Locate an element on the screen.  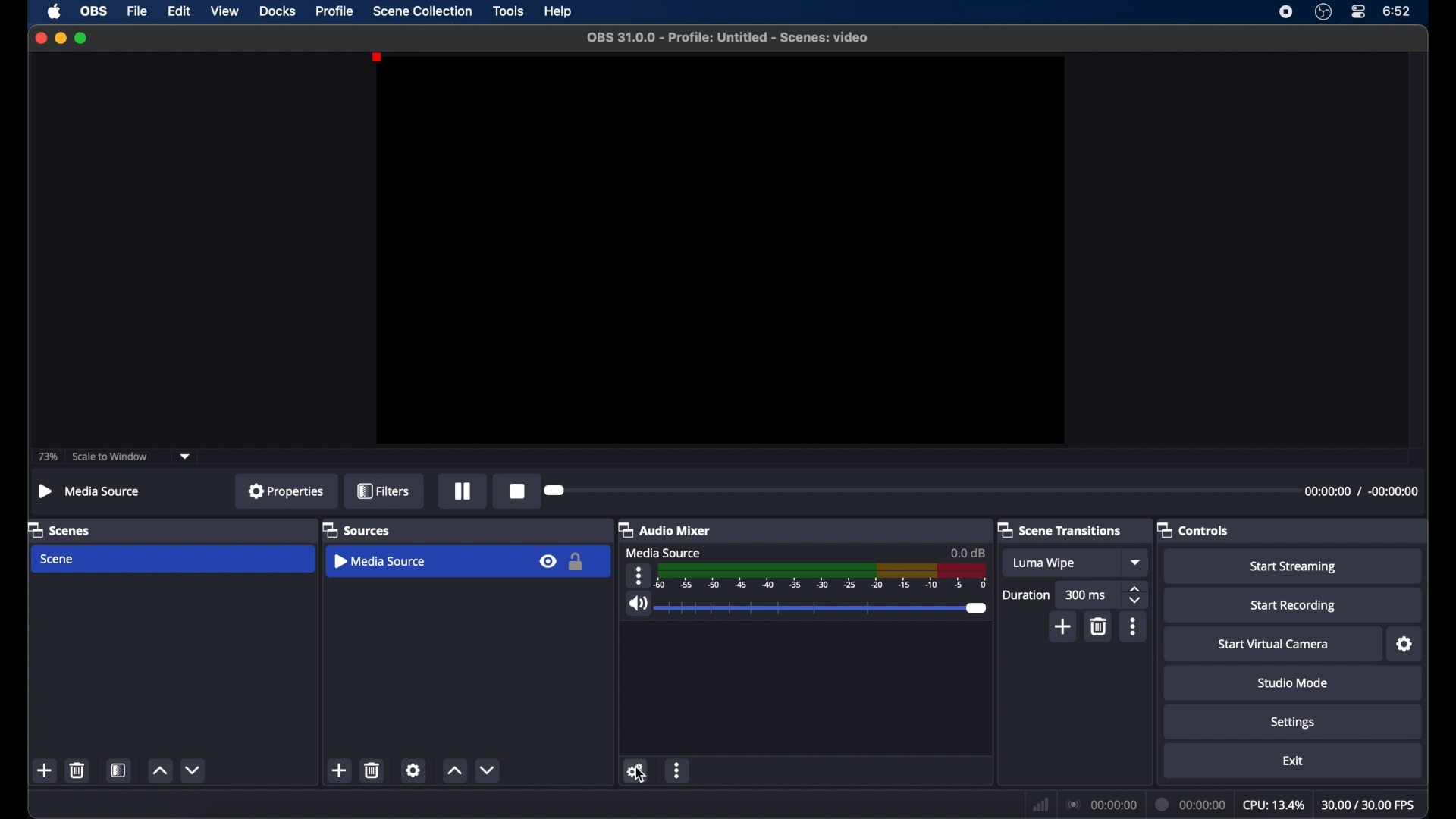
timestamps is located at coordinates (1361, 491).